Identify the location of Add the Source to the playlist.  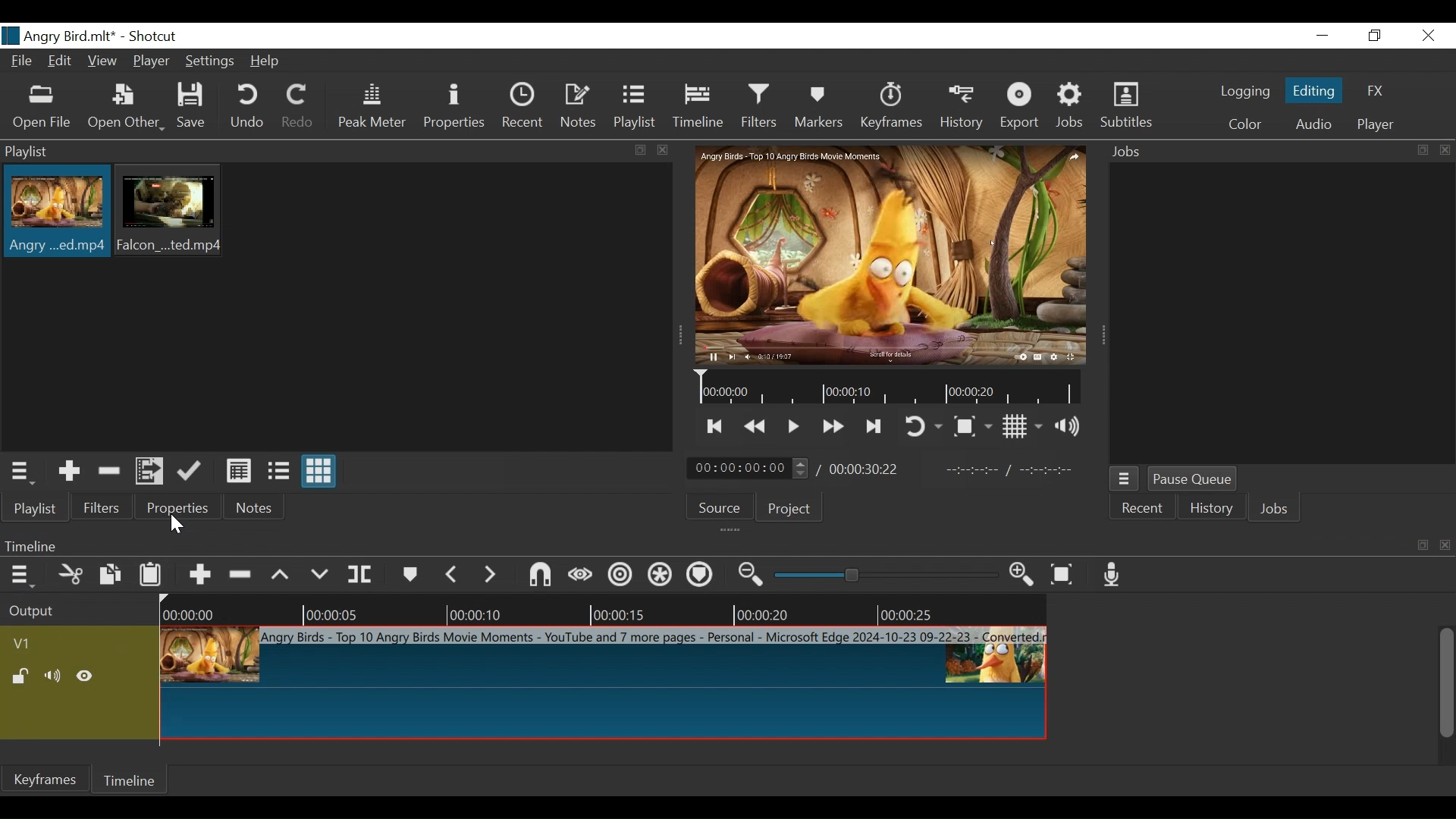
(67, 472).